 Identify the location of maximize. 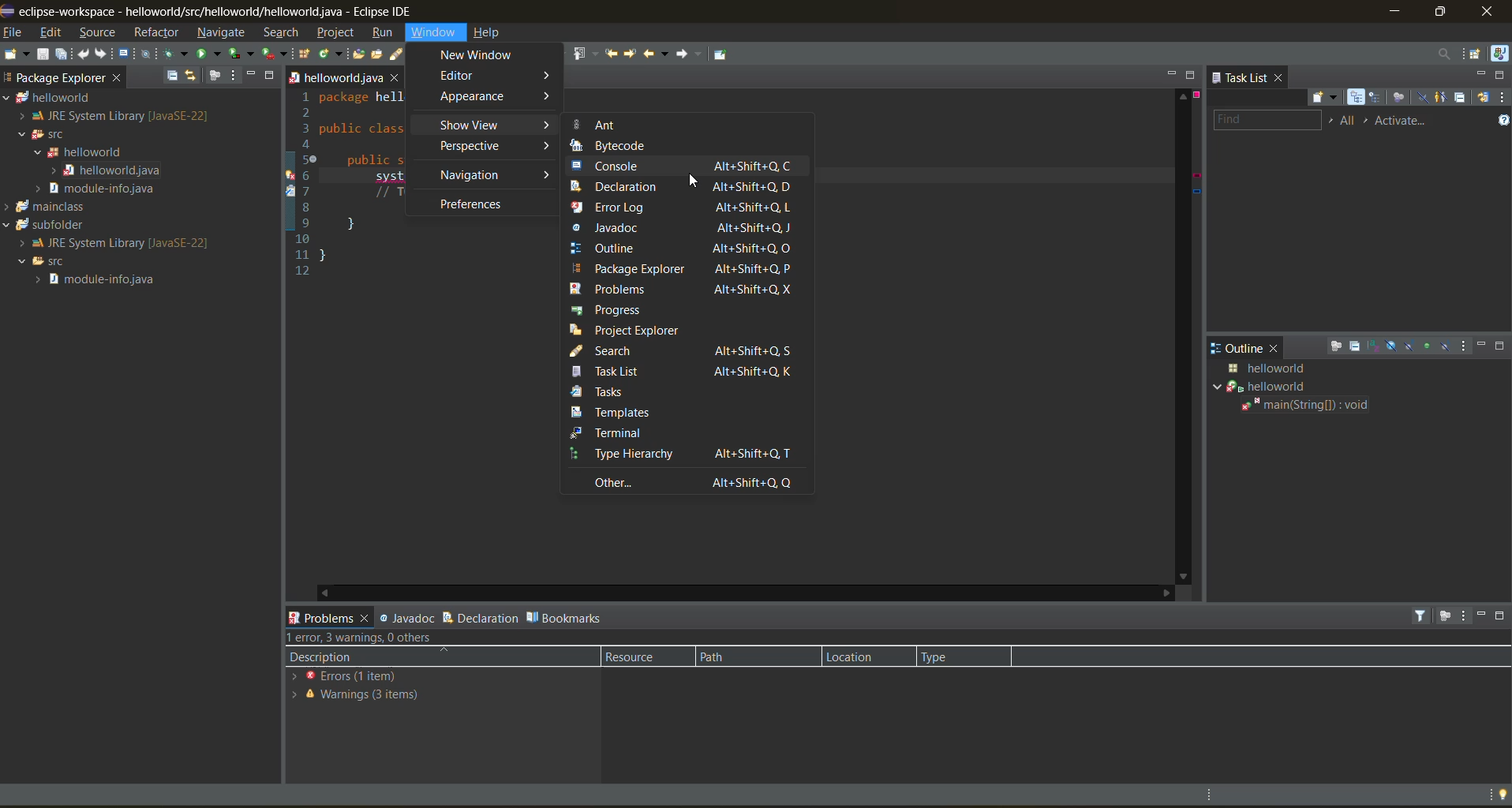
(1502, 616).